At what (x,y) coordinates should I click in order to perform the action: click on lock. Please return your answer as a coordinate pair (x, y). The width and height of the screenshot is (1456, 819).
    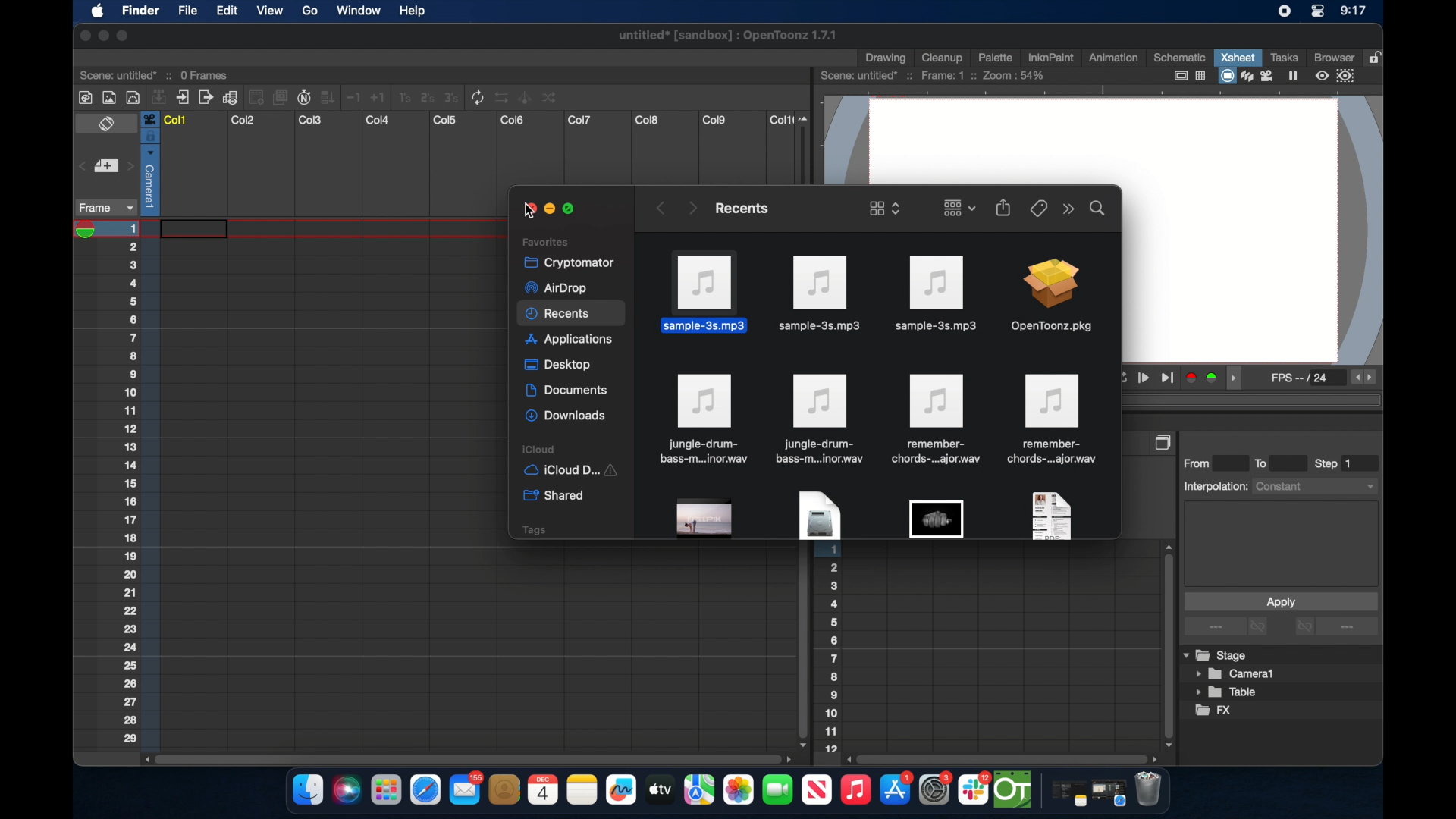
    Looking at the image, I should click on (1377, 56).